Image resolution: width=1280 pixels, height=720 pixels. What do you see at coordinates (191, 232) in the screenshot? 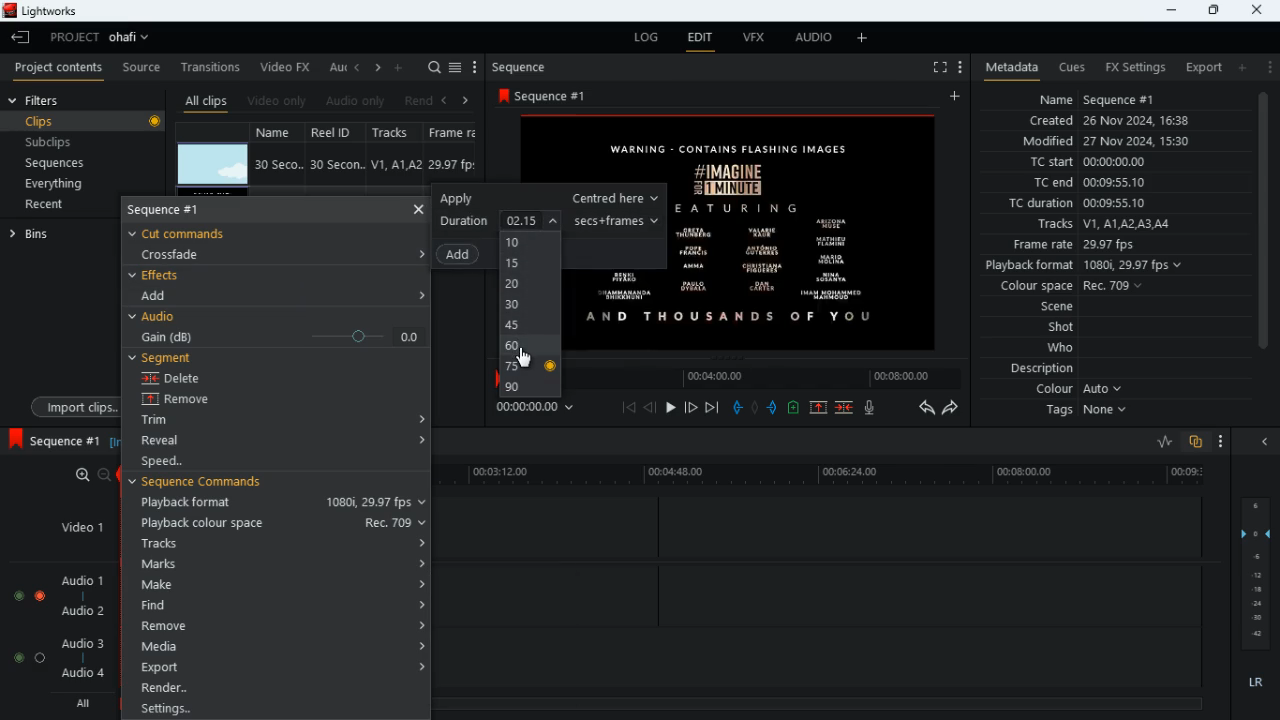
I see `cut commands` at bounding box center [191, 232].